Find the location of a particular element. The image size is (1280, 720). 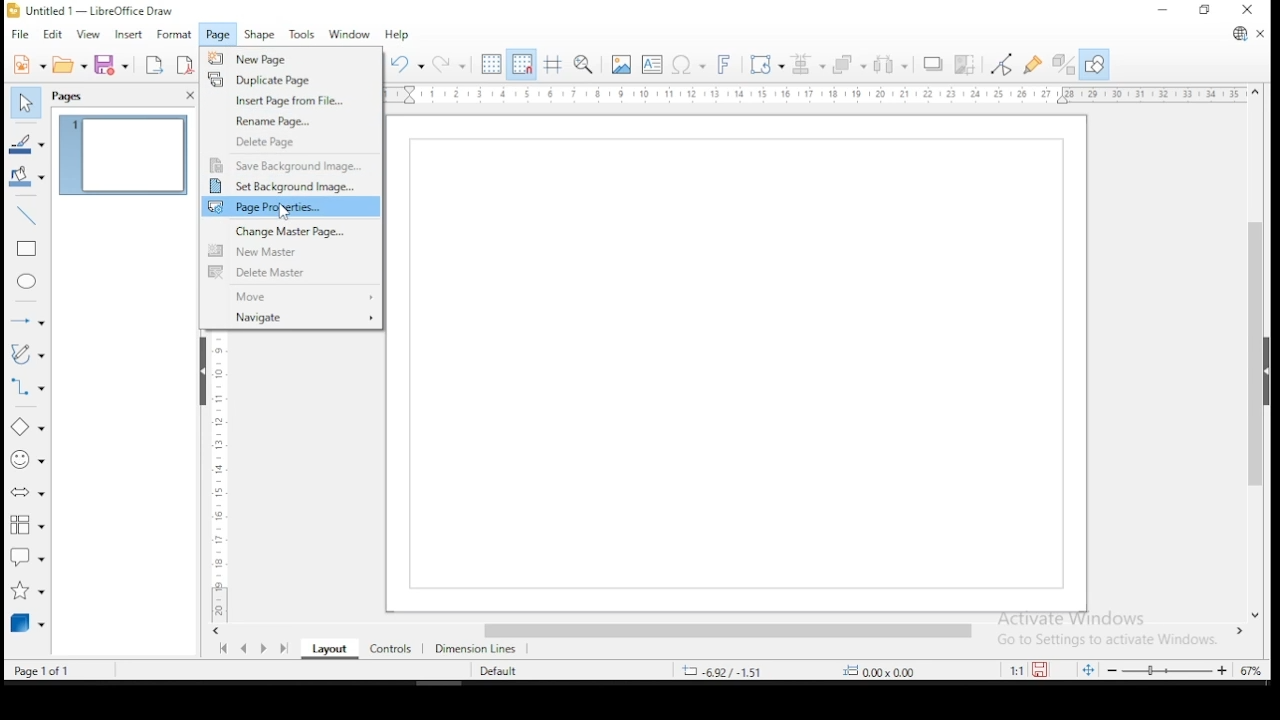

simple shapes is located at coordinates (28, 431).